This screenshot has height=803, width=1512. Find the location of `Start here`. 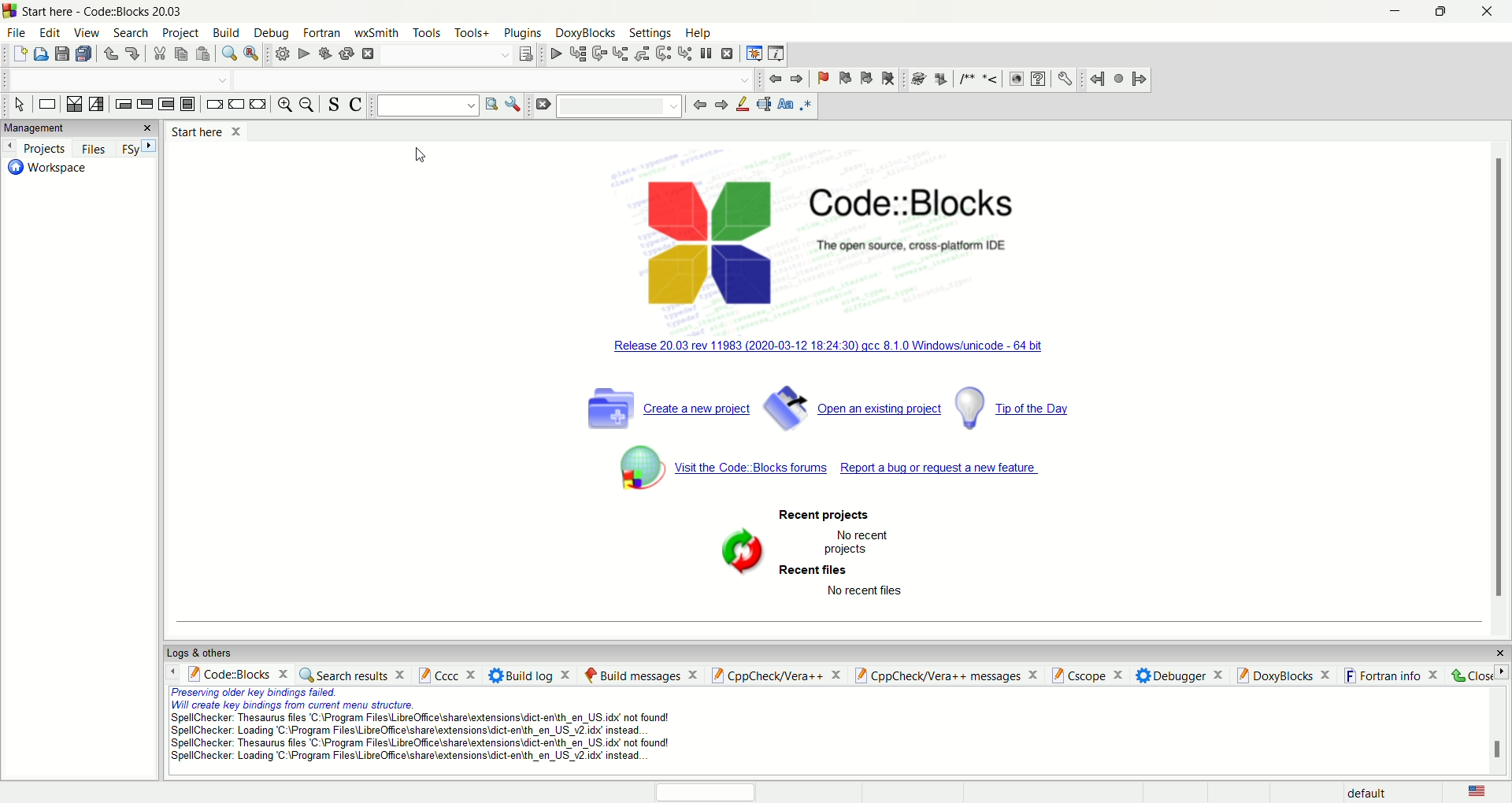

Start here is located at coordinates (212, 131).